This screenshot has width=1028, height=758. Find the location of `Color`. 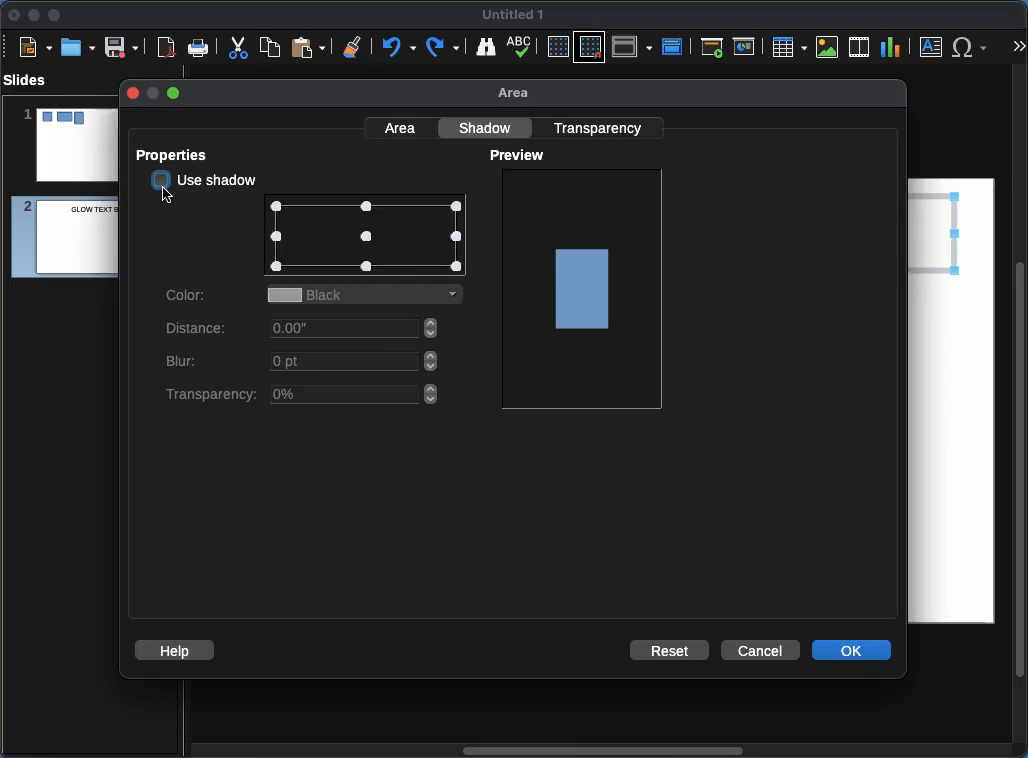

Color is located at coordinates (188, 293).